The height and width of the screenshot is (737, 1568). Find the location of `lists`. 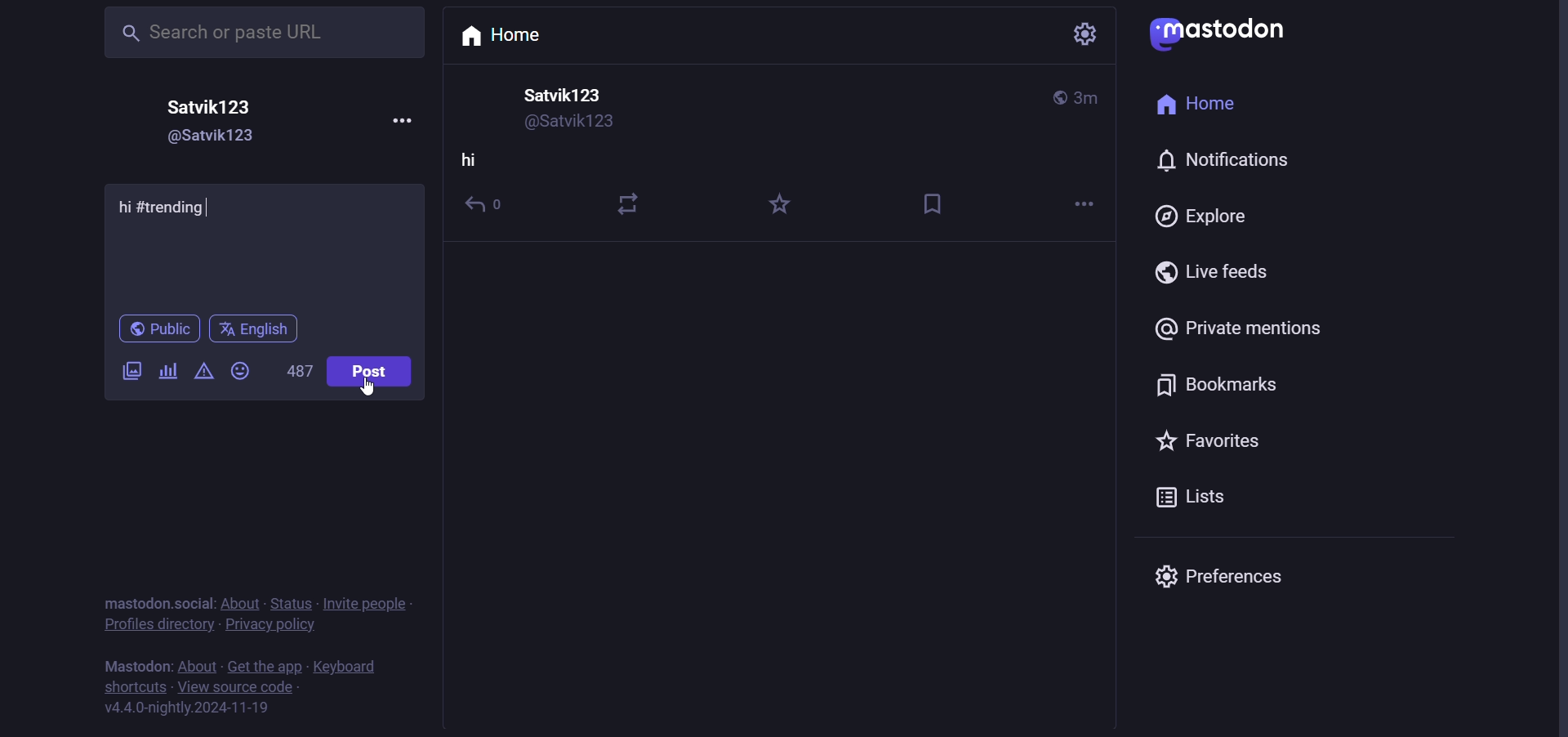

lists is located at coordinates (1187, 501).